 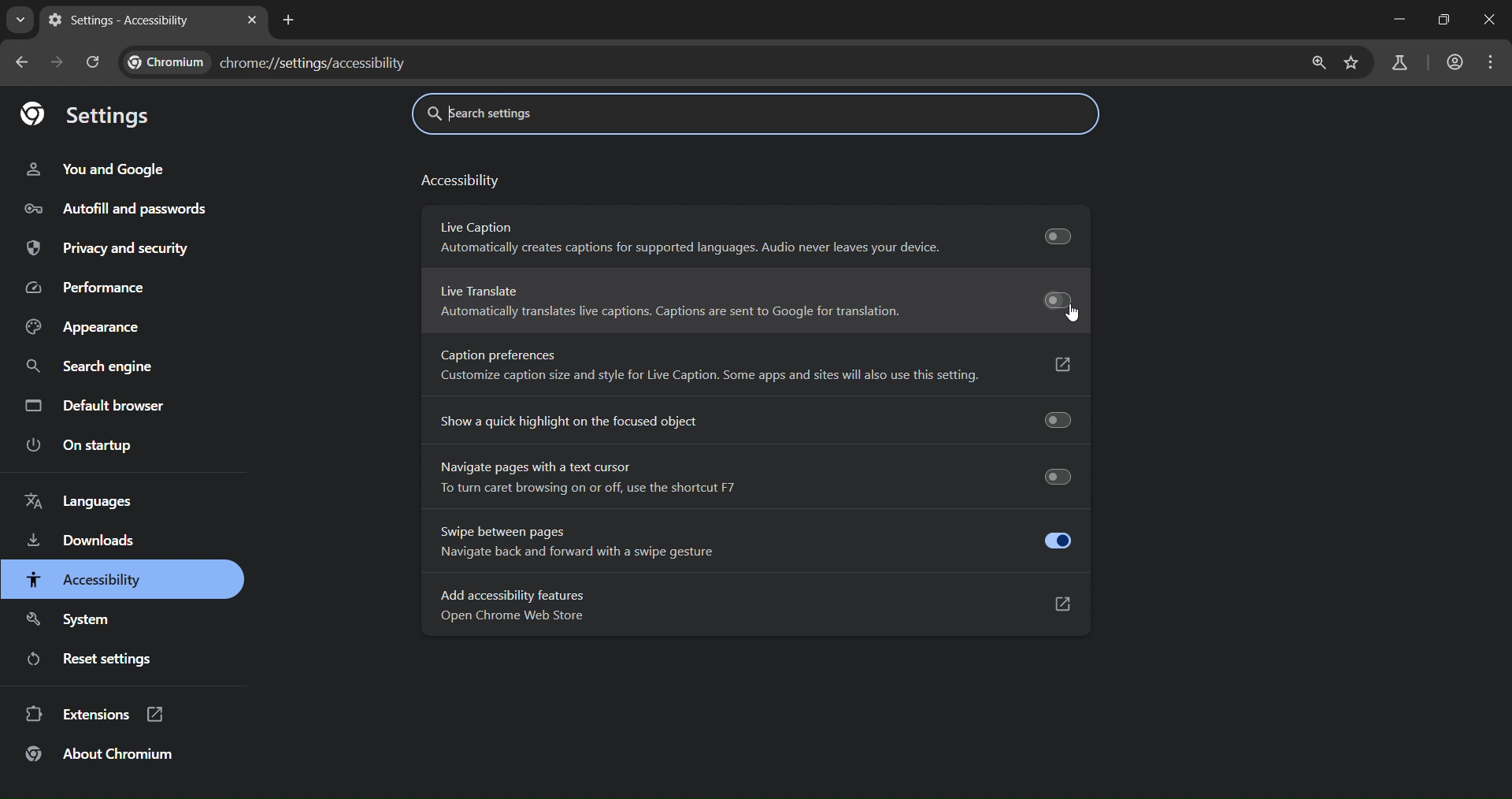 What do you see at coordinates (1053, 363) in the screenshot?
I see `button` at bounding box center [1053, 363].